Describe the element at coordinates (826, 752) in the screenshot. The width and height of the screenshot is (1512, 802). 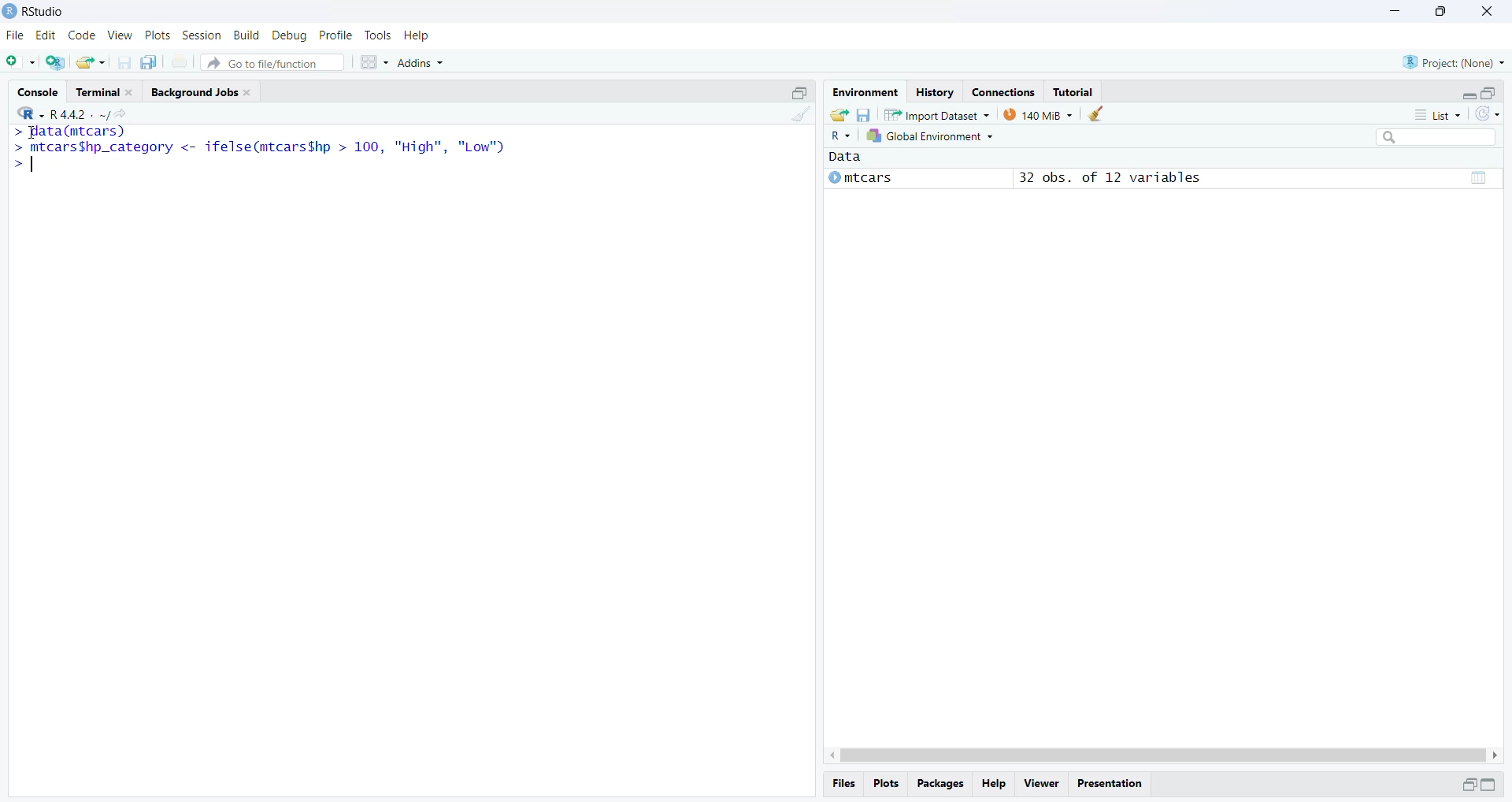
I see `Left` at that location.